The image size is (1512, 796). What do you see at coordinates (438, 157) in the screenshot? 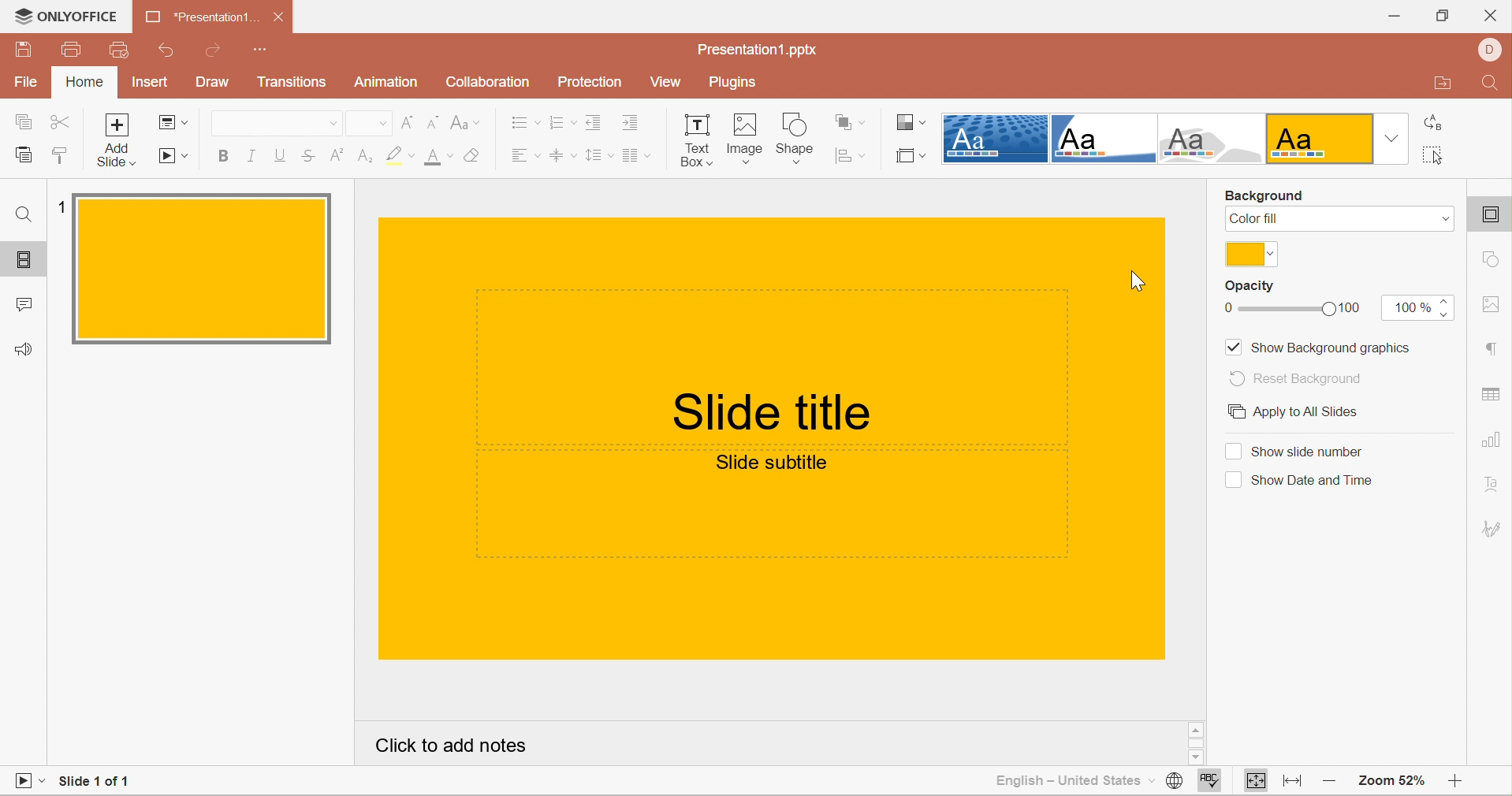
I see `Font size` at bounding box center [438, 157].